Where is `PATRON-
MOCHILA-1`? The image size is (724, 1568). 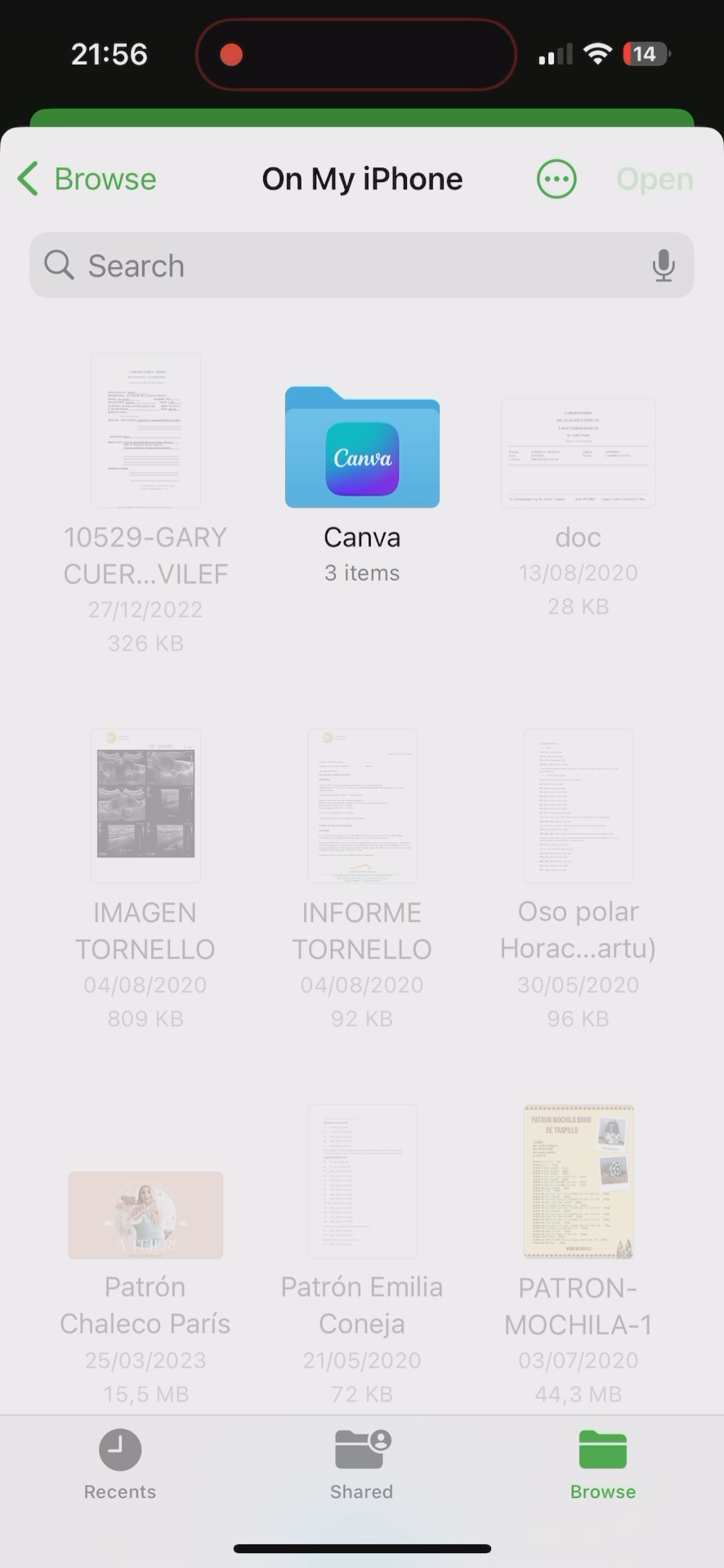
PATRON-
MOCHILA-1 is located at coordinates (581, 1245).